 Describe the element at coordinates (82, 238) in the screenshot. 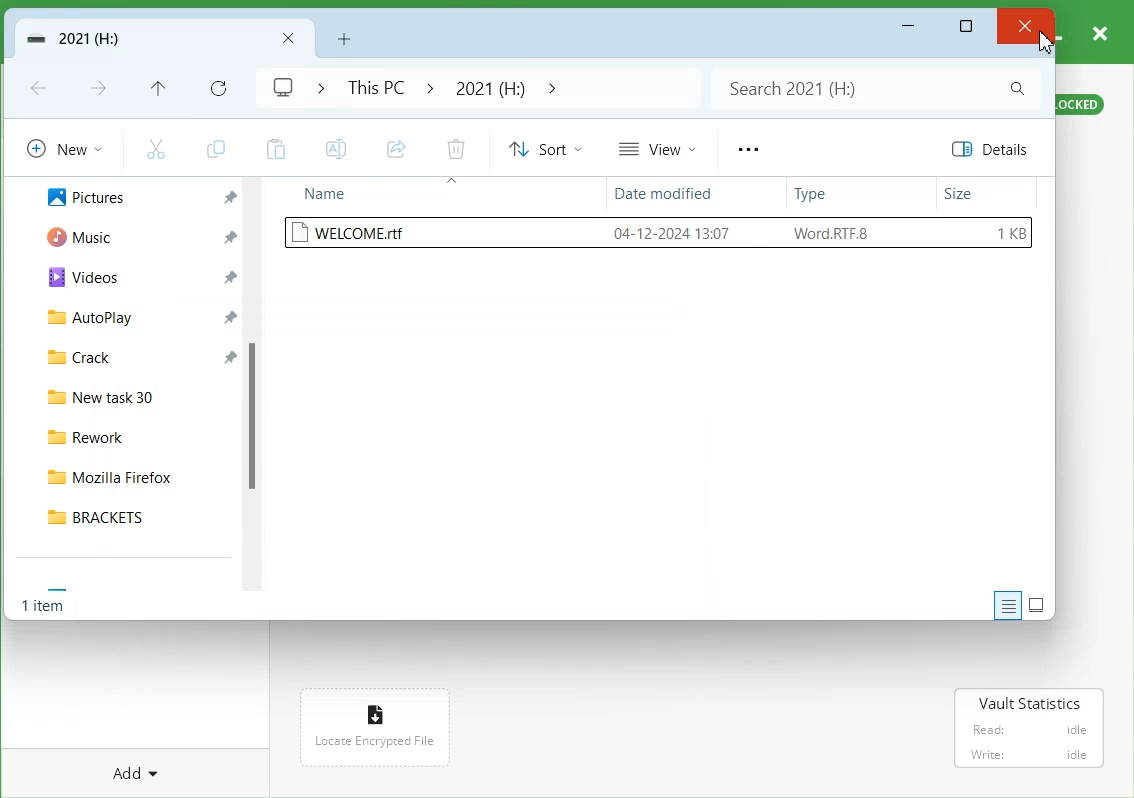

I see `Music` at that location.